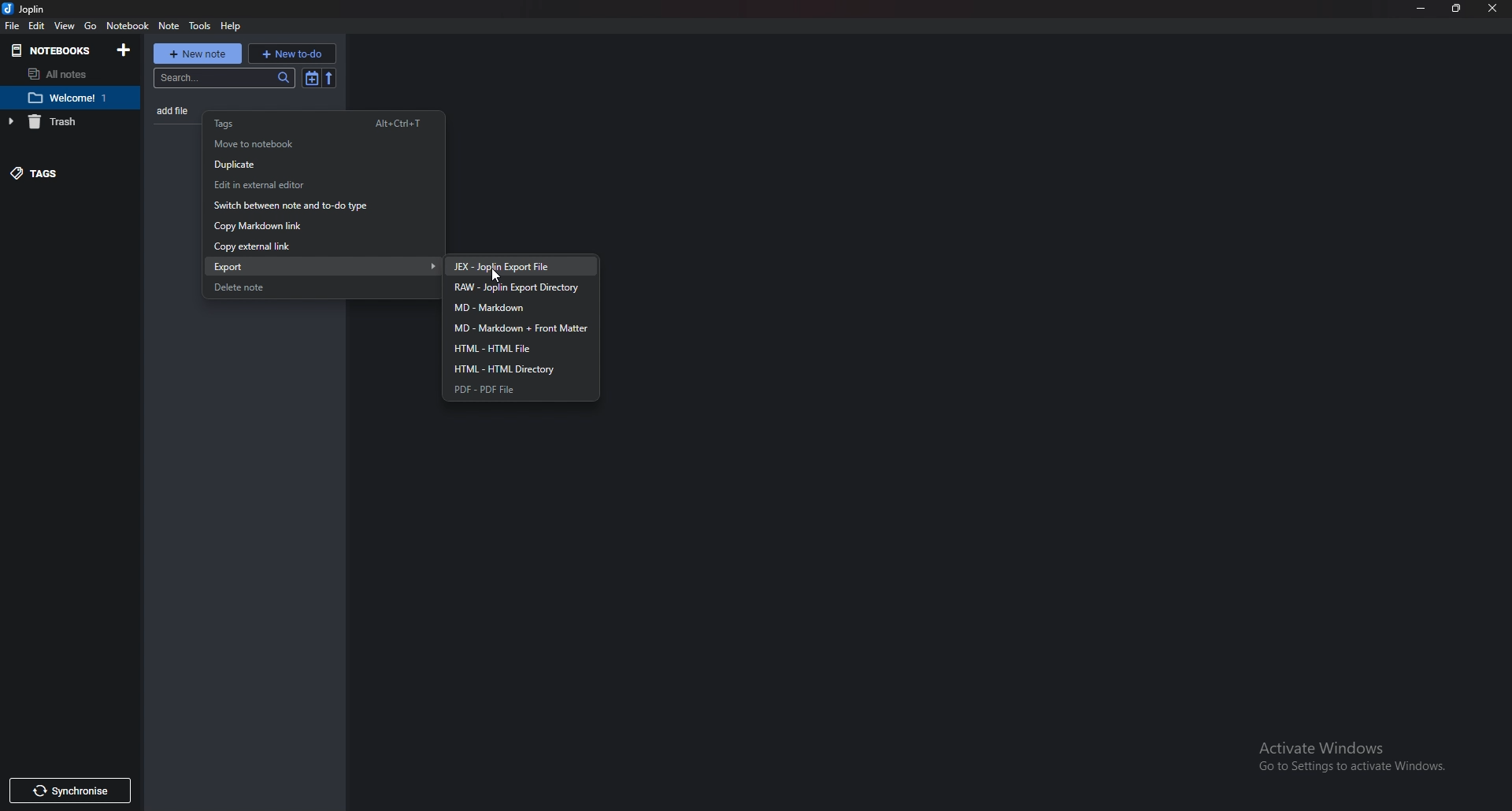 This screenshot has height=811, width=1512. I want to click on Duplicate, so click(315, 165).